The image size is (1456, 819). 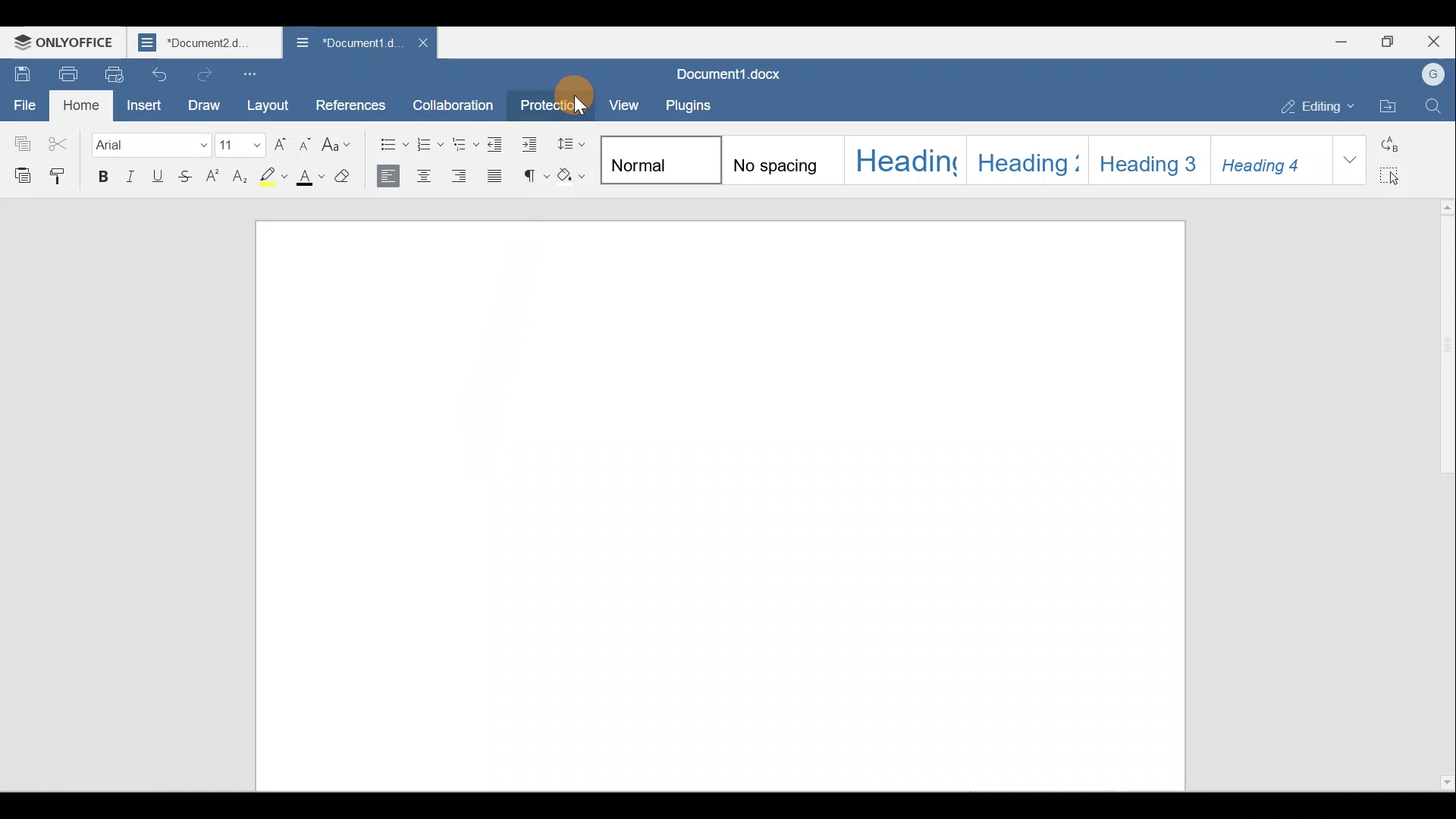 What do you see at coordinates (1394, 145) in the screenshot?
I see `Replace` at bounding box center [1394, 145].